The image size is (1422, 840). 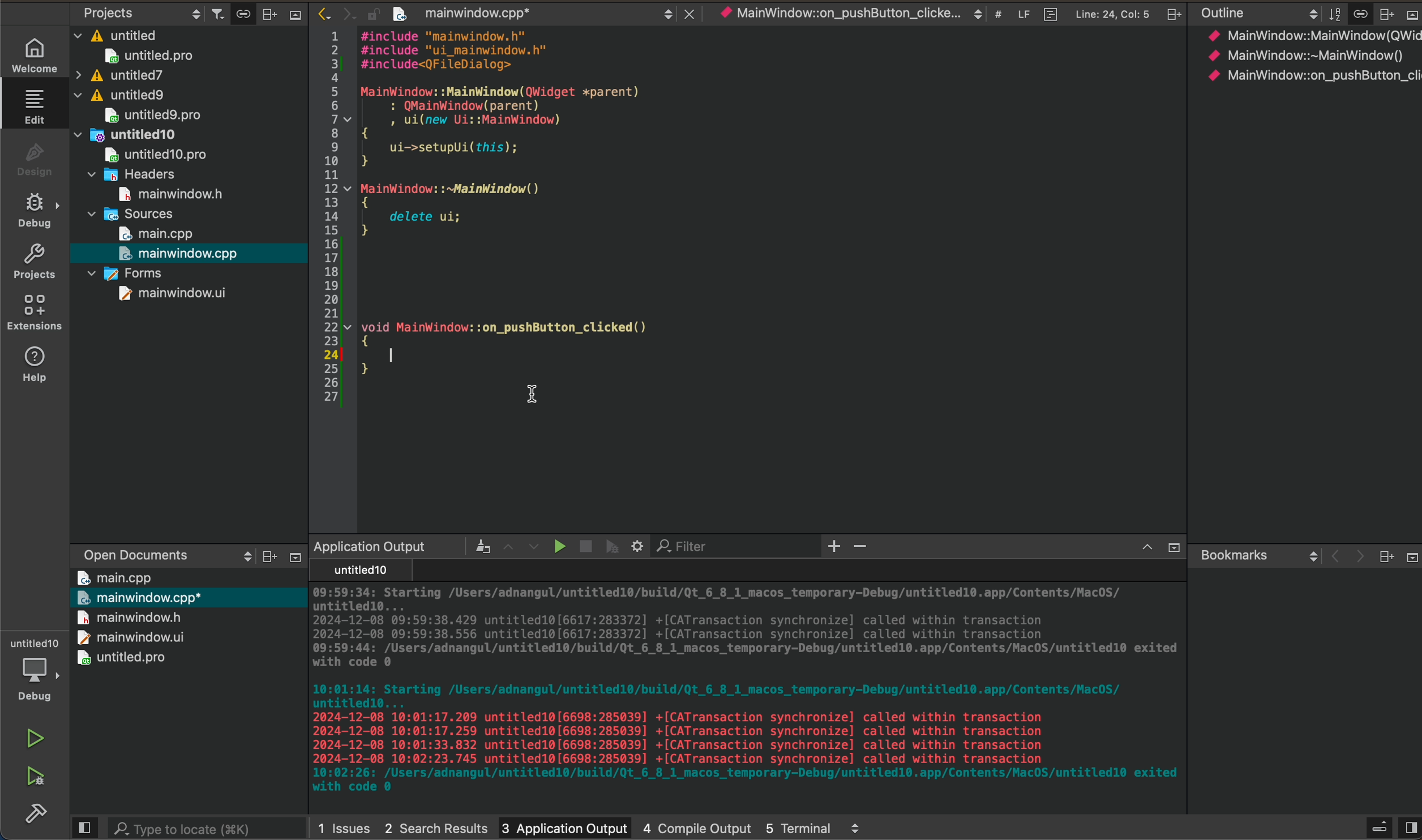 What do you see at coordinates (108, 12) in the screenshot?
I see `projects` at bounding box center [108, 12].